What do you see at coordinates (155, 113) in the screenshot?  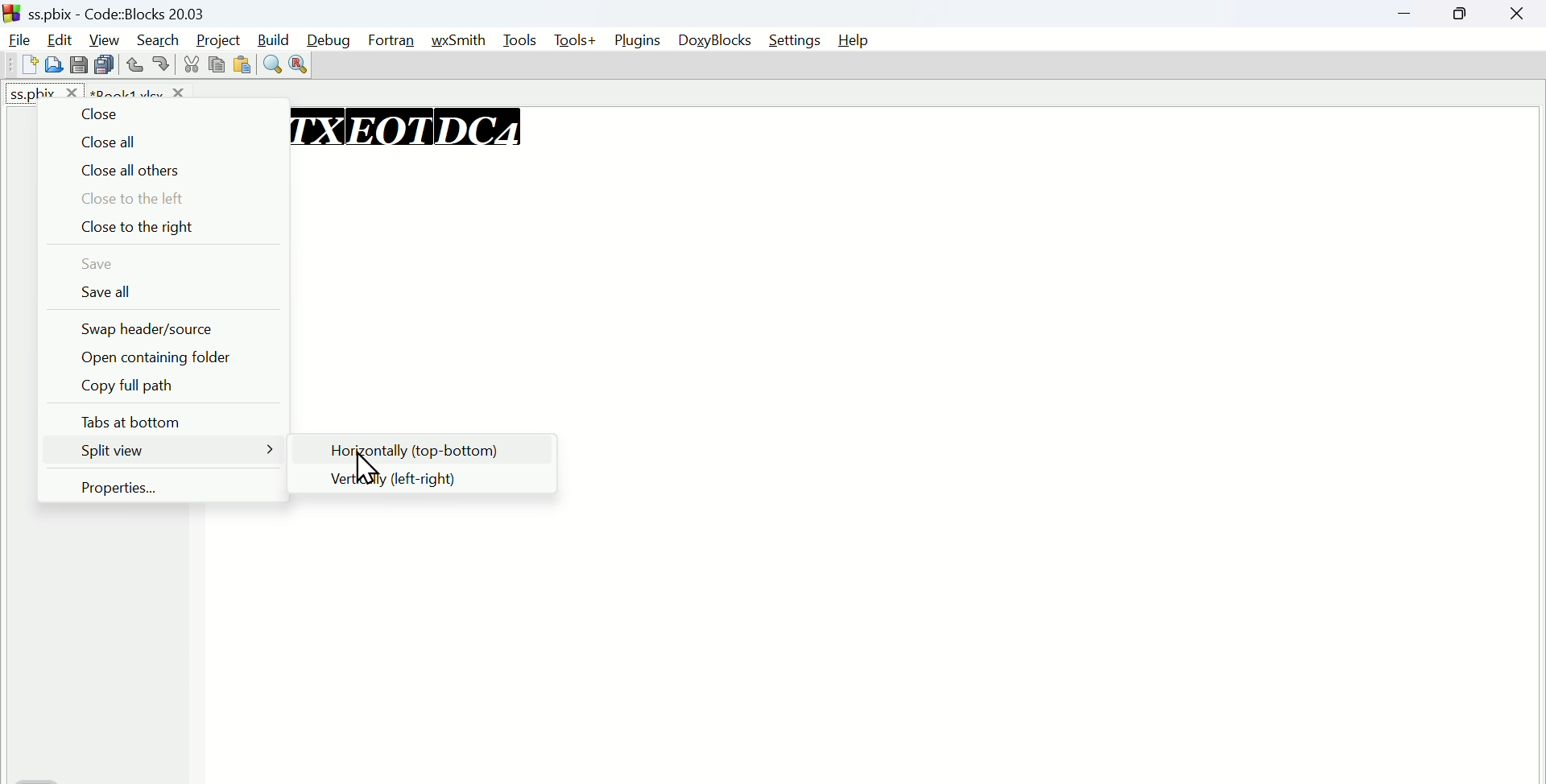 I see `Close` at bounding box center [155, 113].